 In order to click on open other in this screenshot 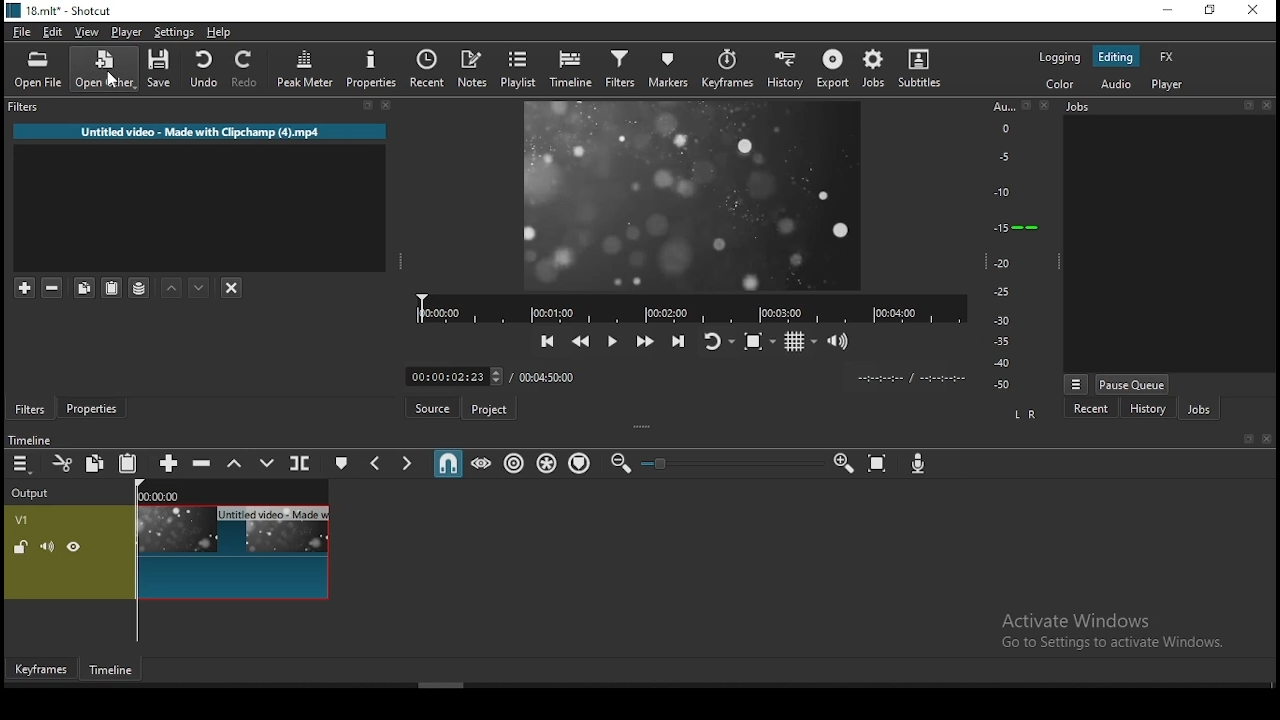, I will do `click(104, 69)`.